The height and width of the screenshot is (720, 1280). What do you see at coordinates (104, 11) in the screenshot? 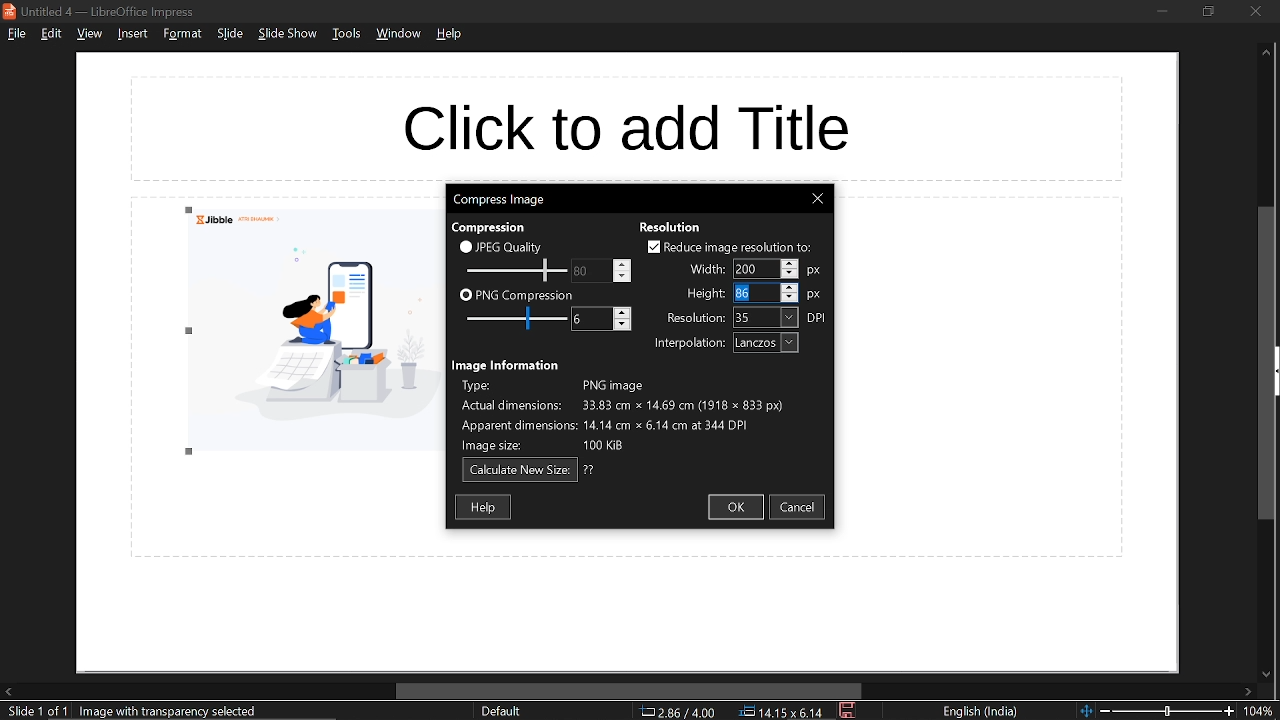
I see `current window` at bounding box center [104, 11].